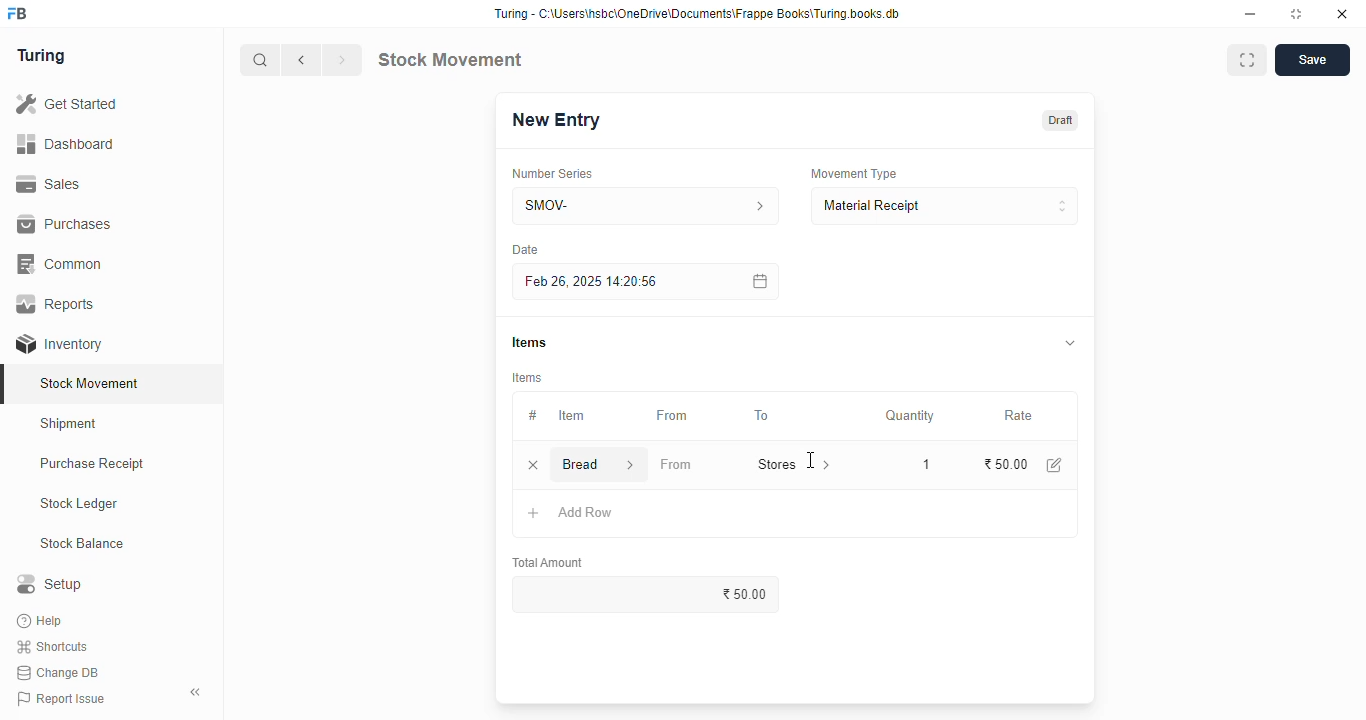 The width and height of the screenshot is (1366, 720). Describe the element at coordinates (595, 282) in the screenshot. I see `feb 26, 2025 14:20:56` at that location.